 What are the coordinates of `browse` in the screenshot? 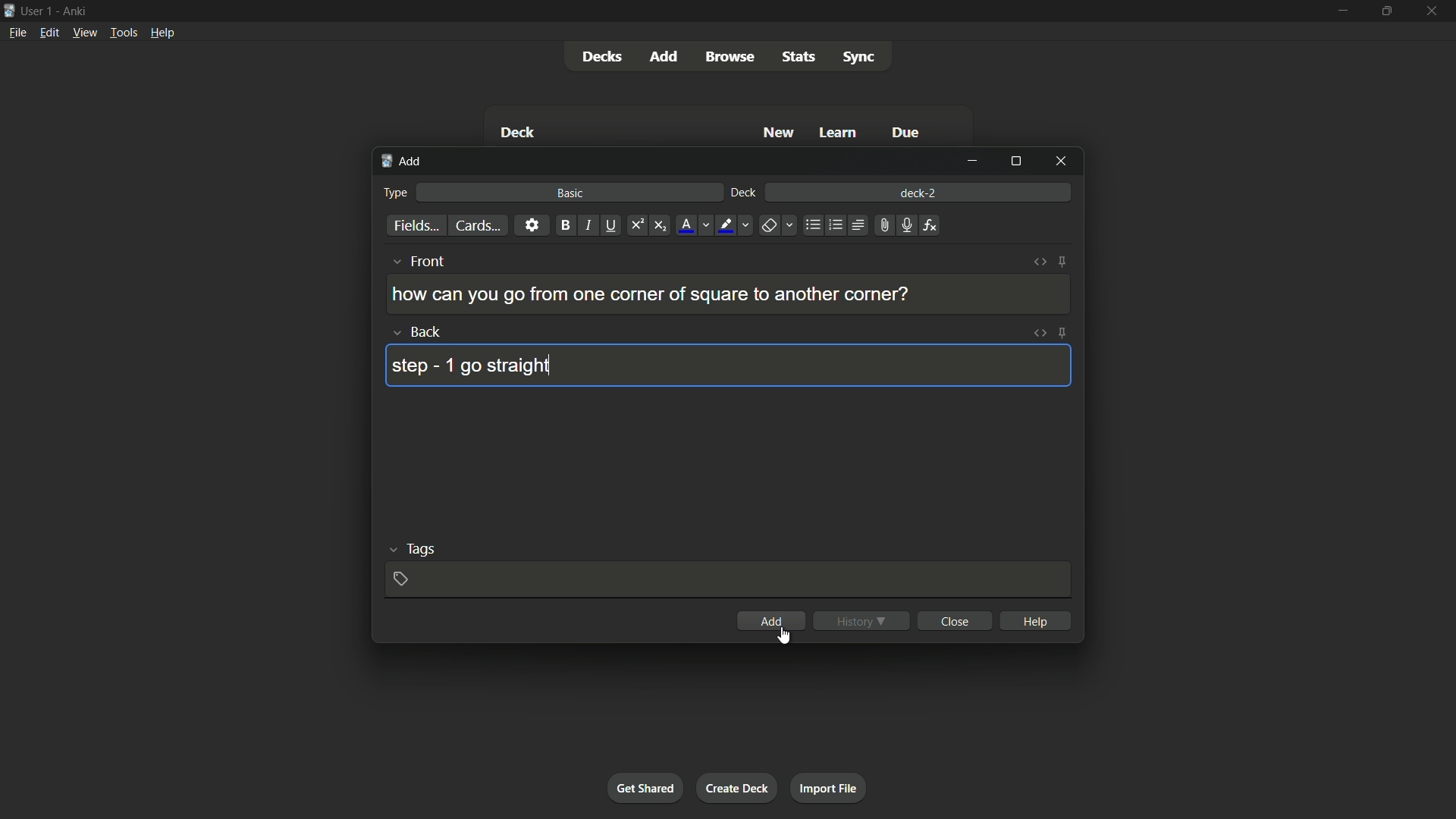 It's located at (731, 57).